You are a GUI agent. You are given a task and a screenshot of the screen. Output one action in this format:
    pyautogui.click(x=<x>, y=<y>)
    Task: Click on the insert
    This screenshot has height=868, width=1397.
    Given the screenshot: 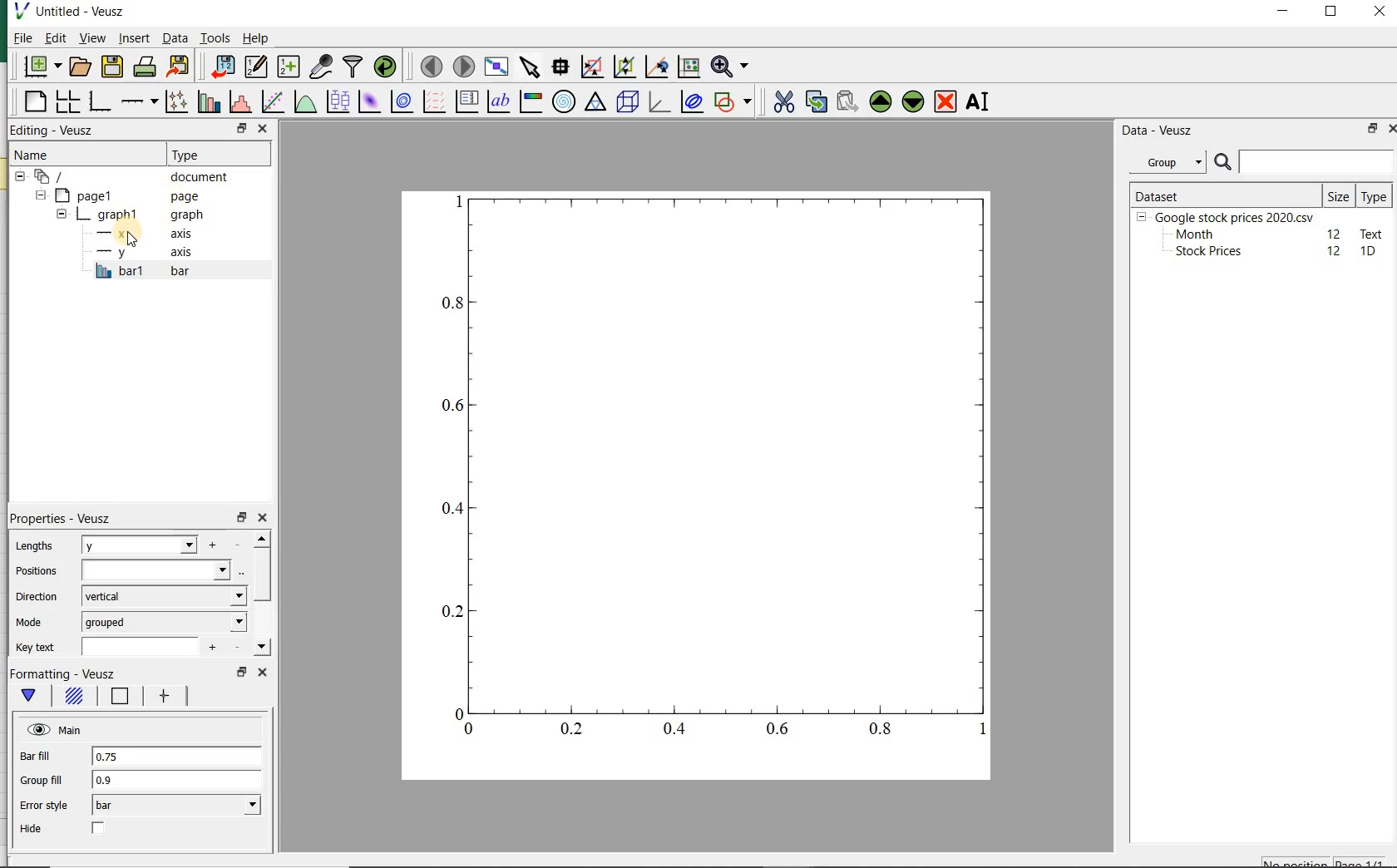 What is the action you would take?
    pyautogui.click(x=134, y=39)
    